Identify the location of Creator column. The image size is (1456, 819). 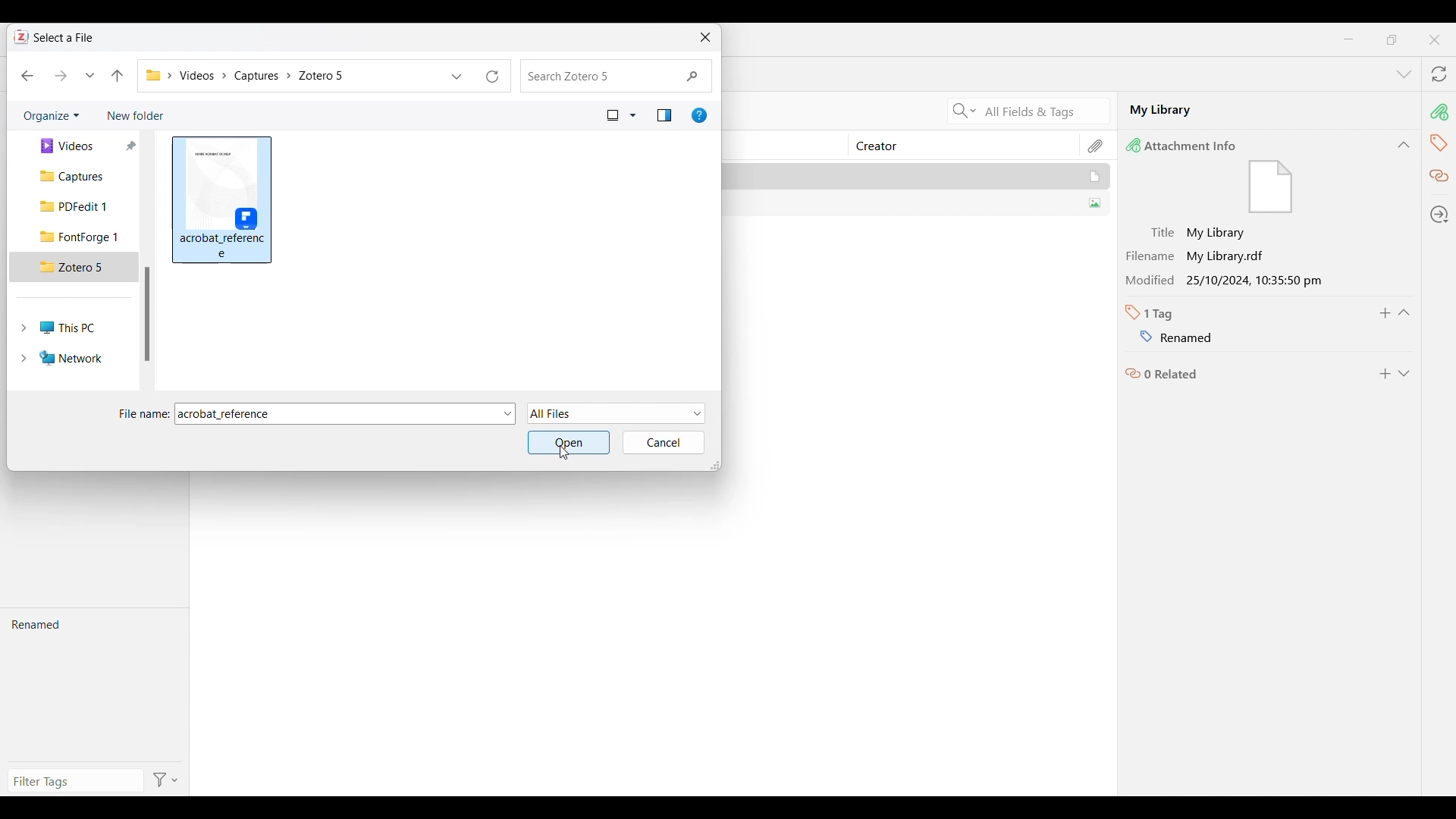
(952, 145).